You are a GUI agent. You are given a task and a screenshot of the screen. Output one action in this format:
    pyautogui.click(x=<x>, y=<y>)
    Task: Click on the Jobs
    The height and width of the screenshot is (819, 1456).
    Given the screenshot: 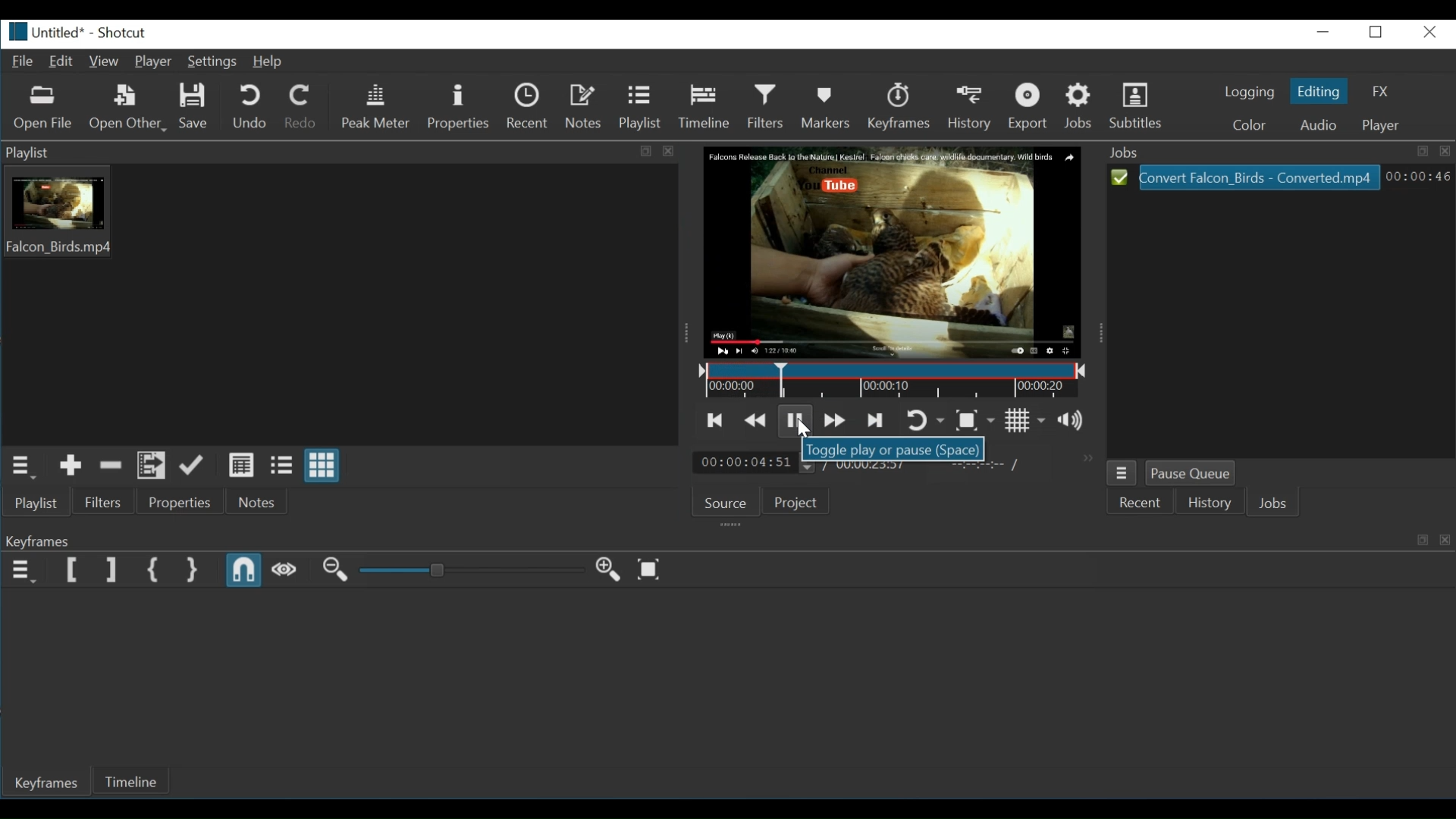 What is the action you would take?
    pyautogui.click(x=1077, y=106)
    